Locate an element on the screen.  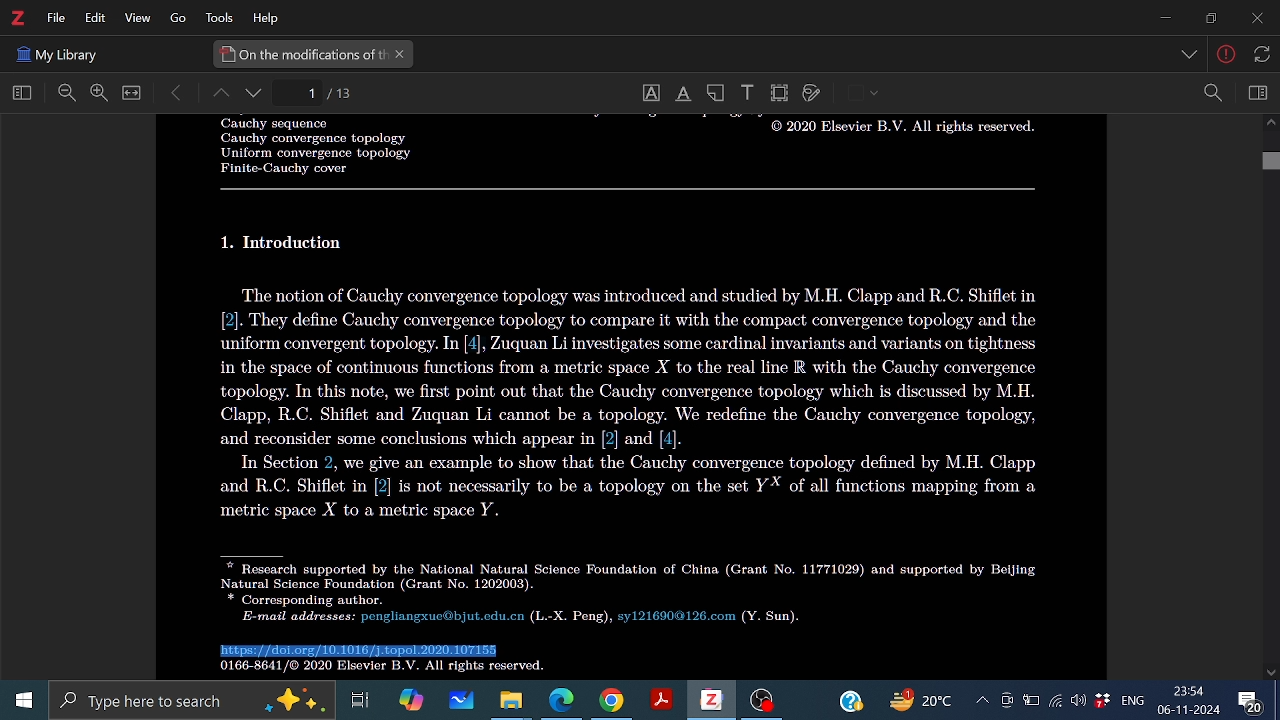
Files is located at coordinates (512, 700).